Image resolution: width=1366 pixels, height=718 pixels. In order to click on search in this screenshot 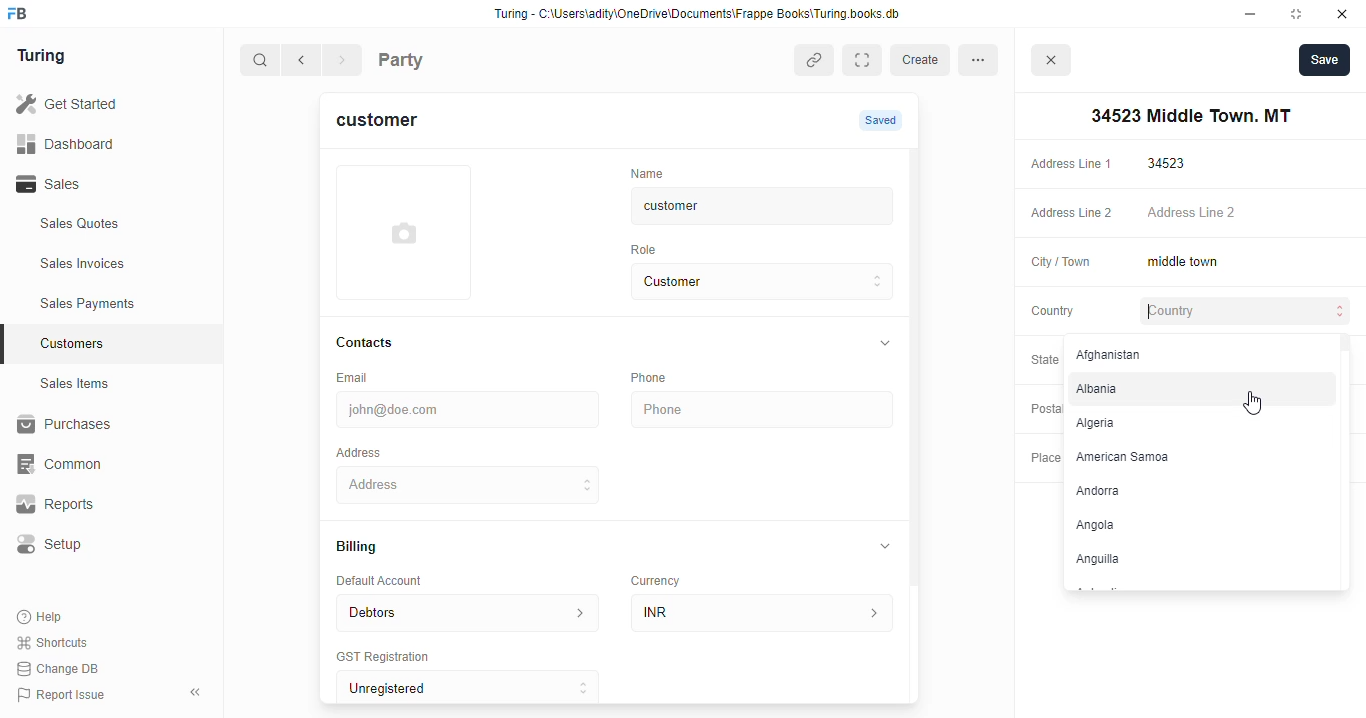, I will do `click(261, 62)`.